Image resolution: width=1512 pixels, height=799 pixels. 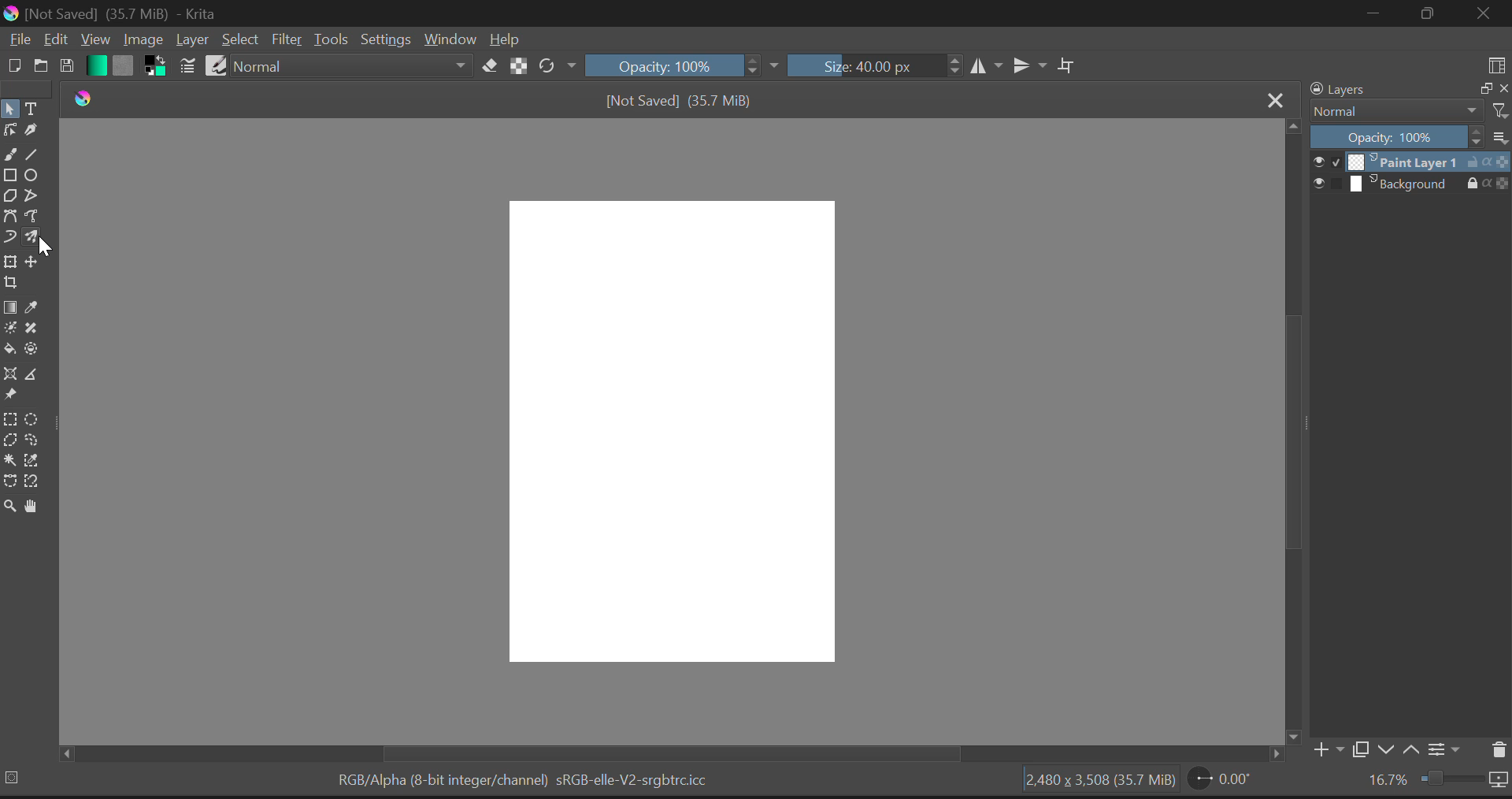 I want to click on Opacity 100%, so click(x=682, y=65).